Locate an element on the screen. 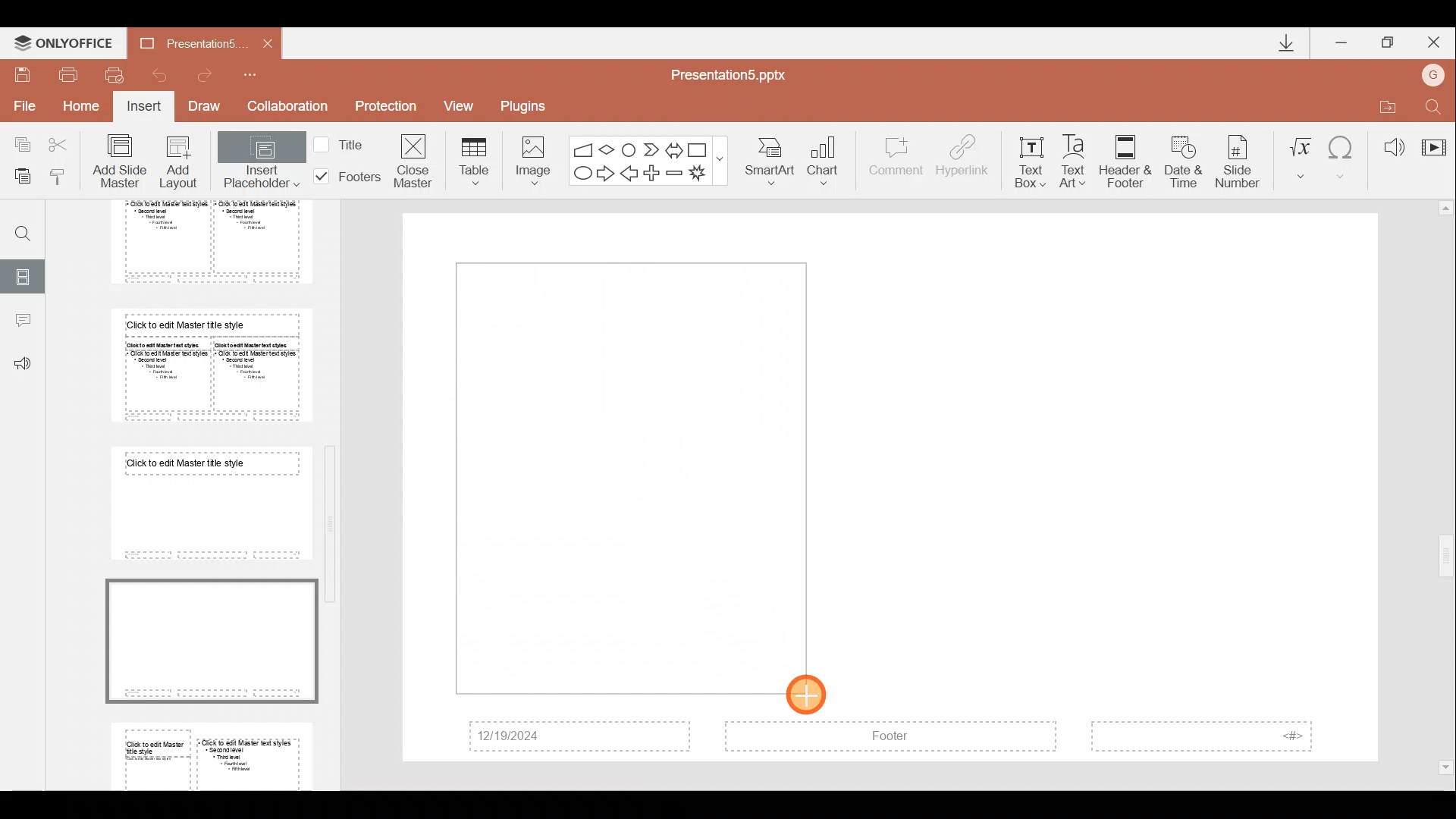 The height and width of the screenshot is (819, 1456). Feedback & support is located at coordinates (23, 365).